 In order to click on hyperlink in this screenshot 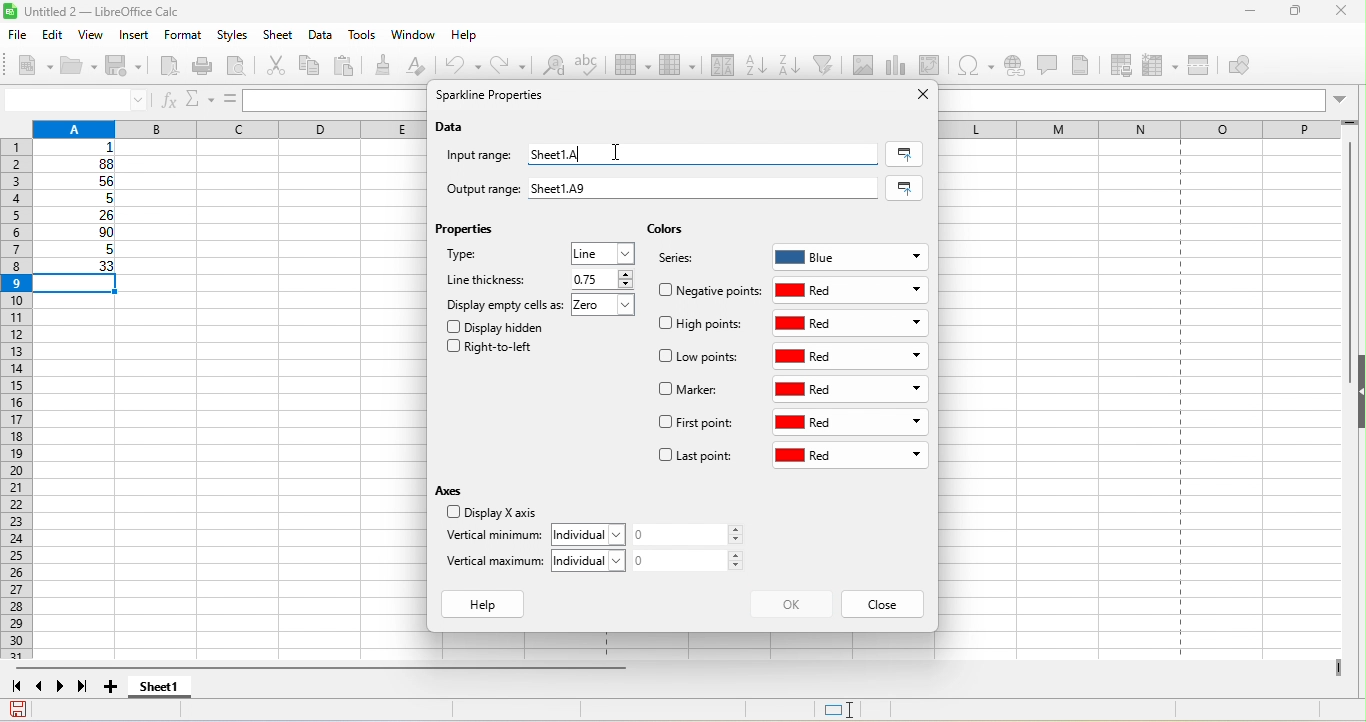, I will do `click(1016, 68)`.